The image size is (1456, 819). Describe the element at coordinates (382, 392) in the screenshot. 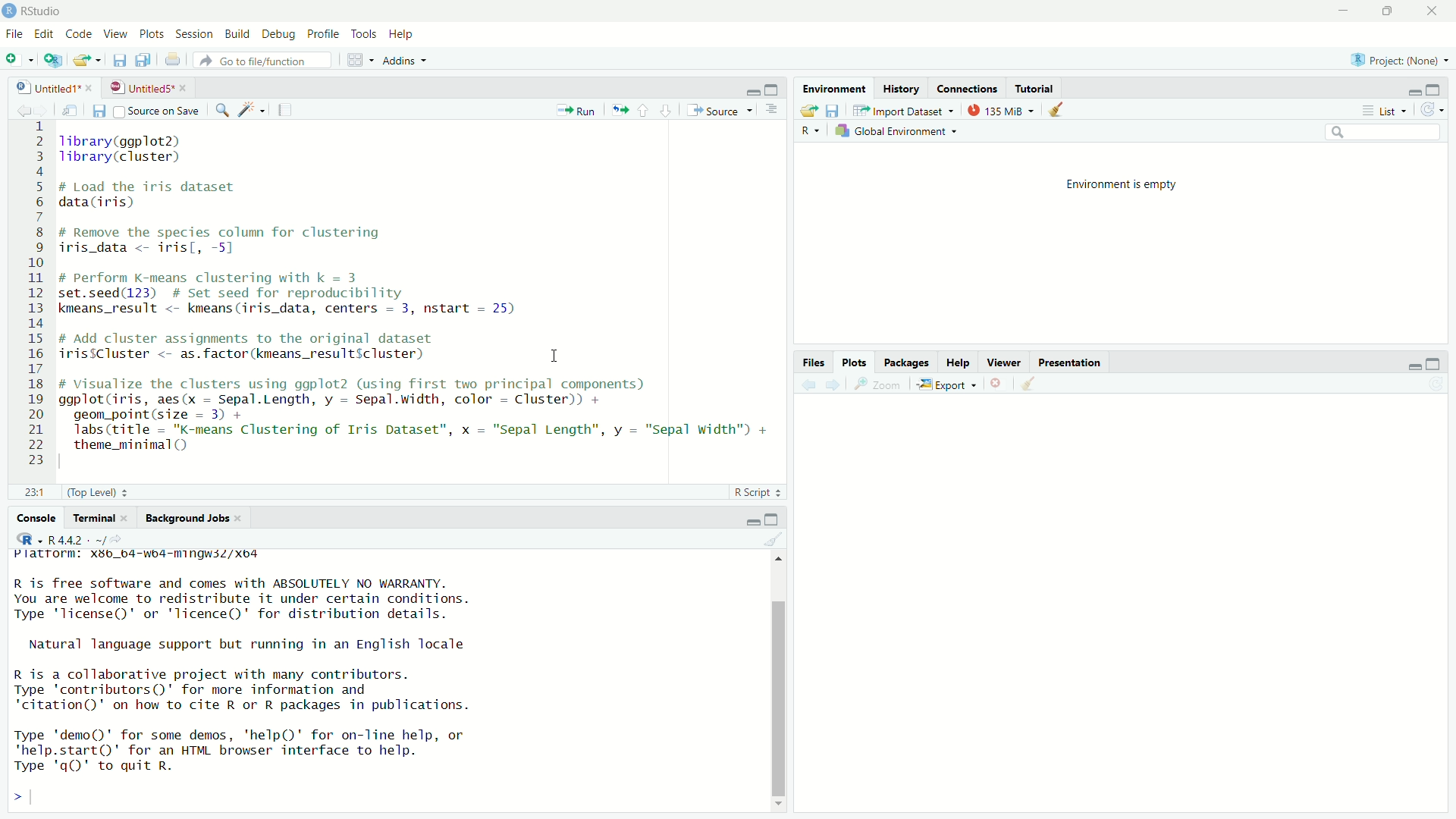

I see `# Visualize the clusters using ggplot2 (using first two principal components)
aaplot(iris. aes(x = Sepal.Lenath. v = Sepal.width. color = Cluster)) +` at that location.